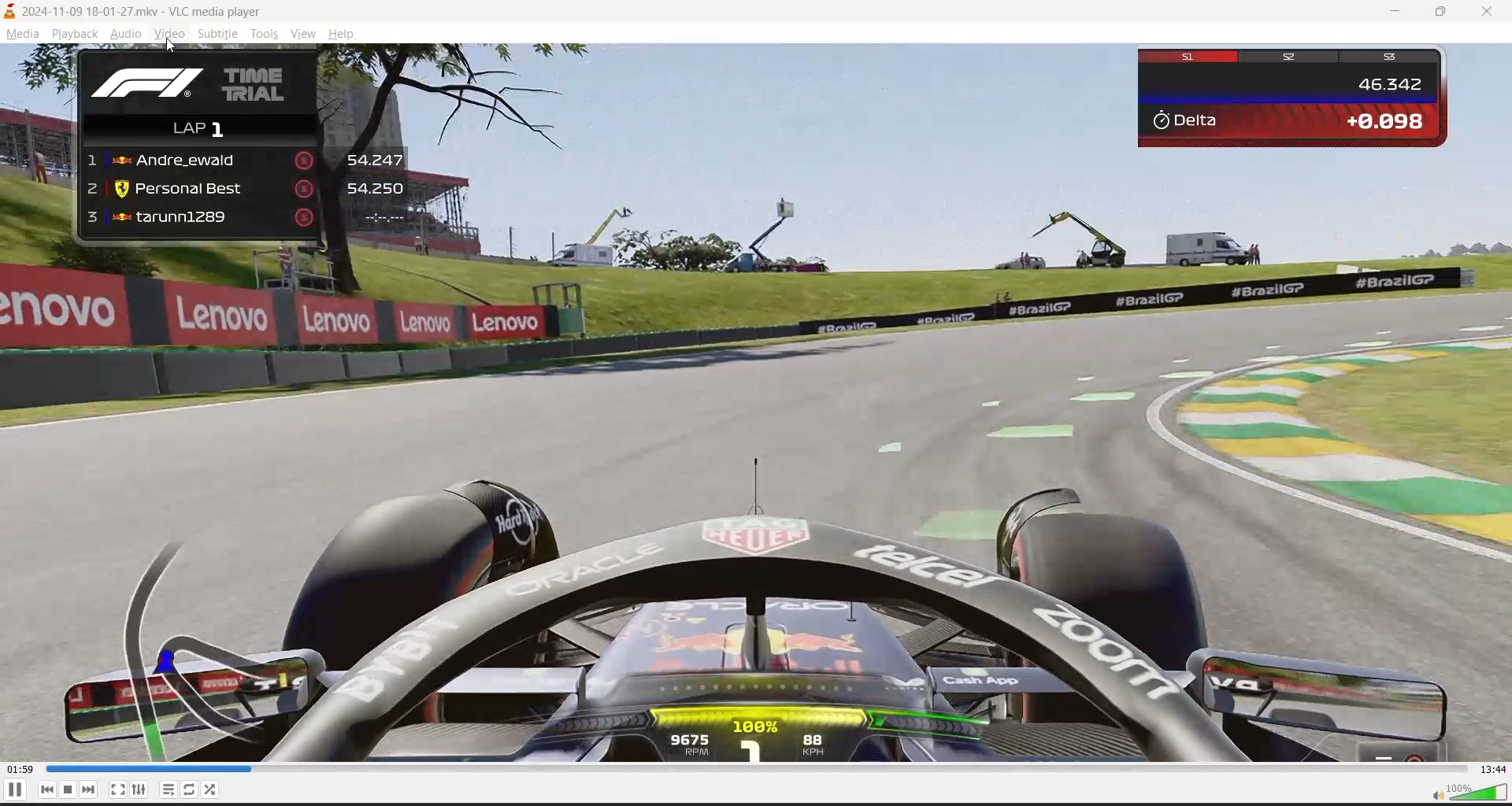  I want to click on media, so click(22, 35).